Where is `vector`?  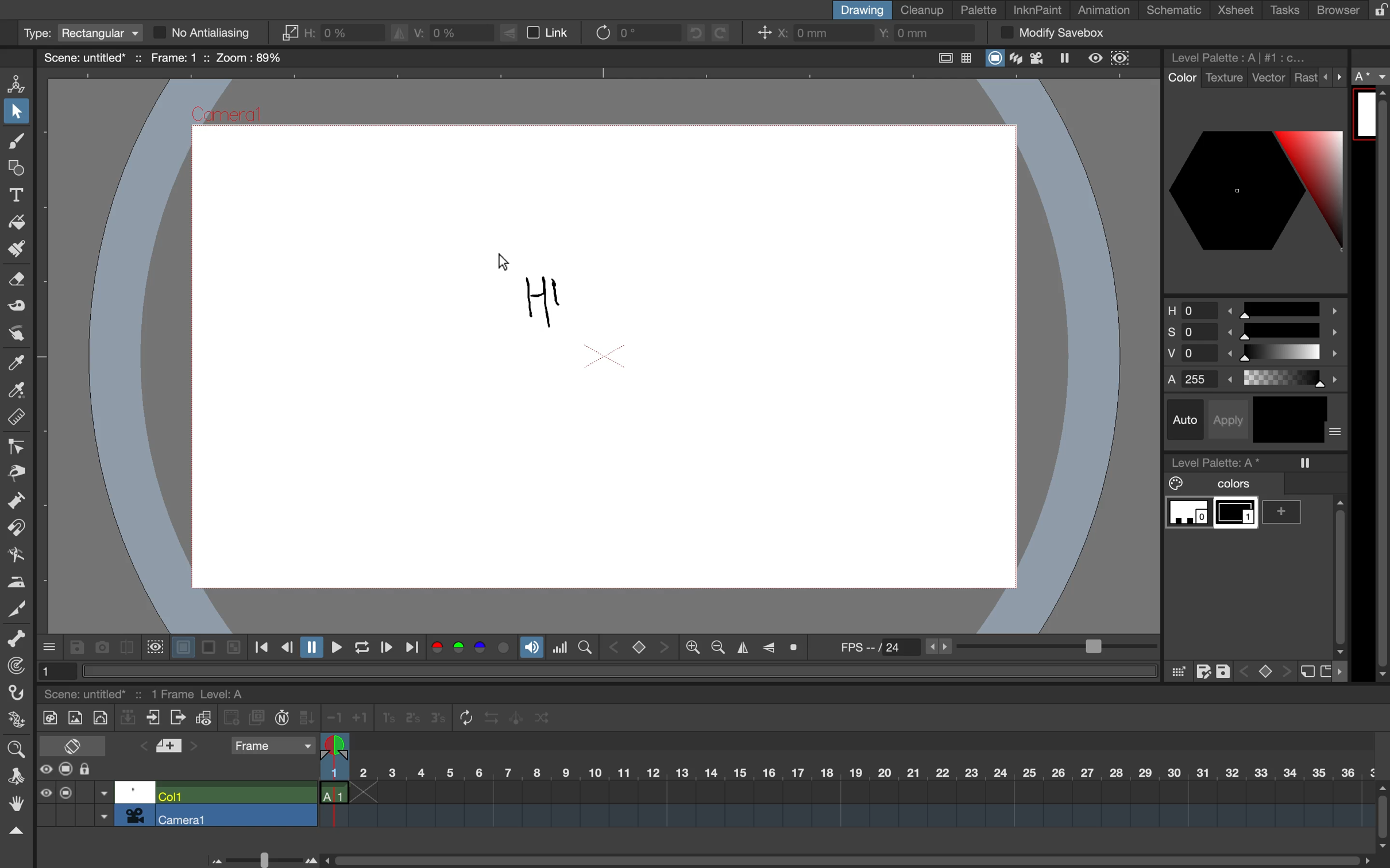 vector is located at coordinates (1269, 79).